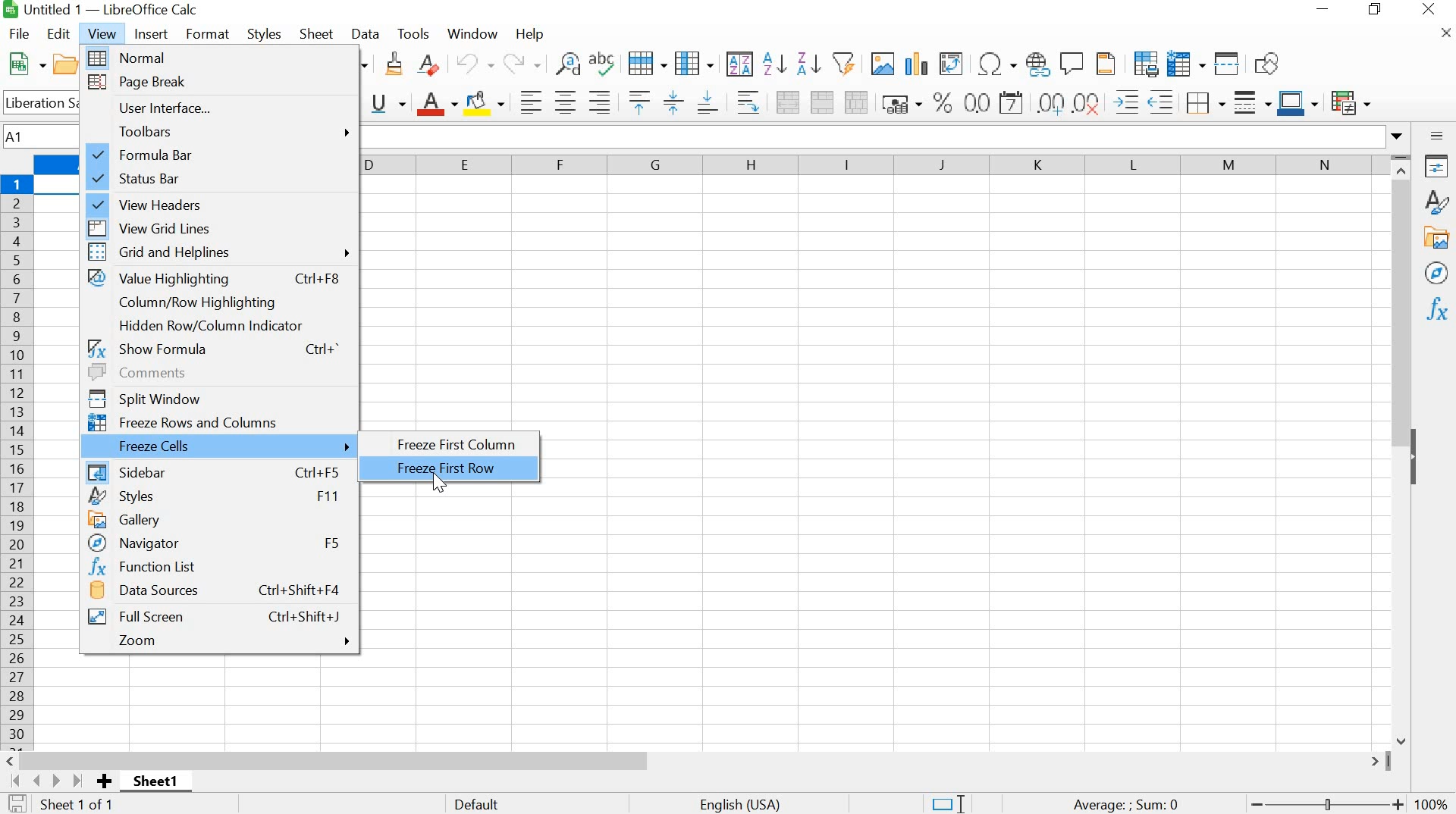  What do you see at coordinates (60, 34) in the screenshot?
I see `EDIT` at bounding box center [60, 34].